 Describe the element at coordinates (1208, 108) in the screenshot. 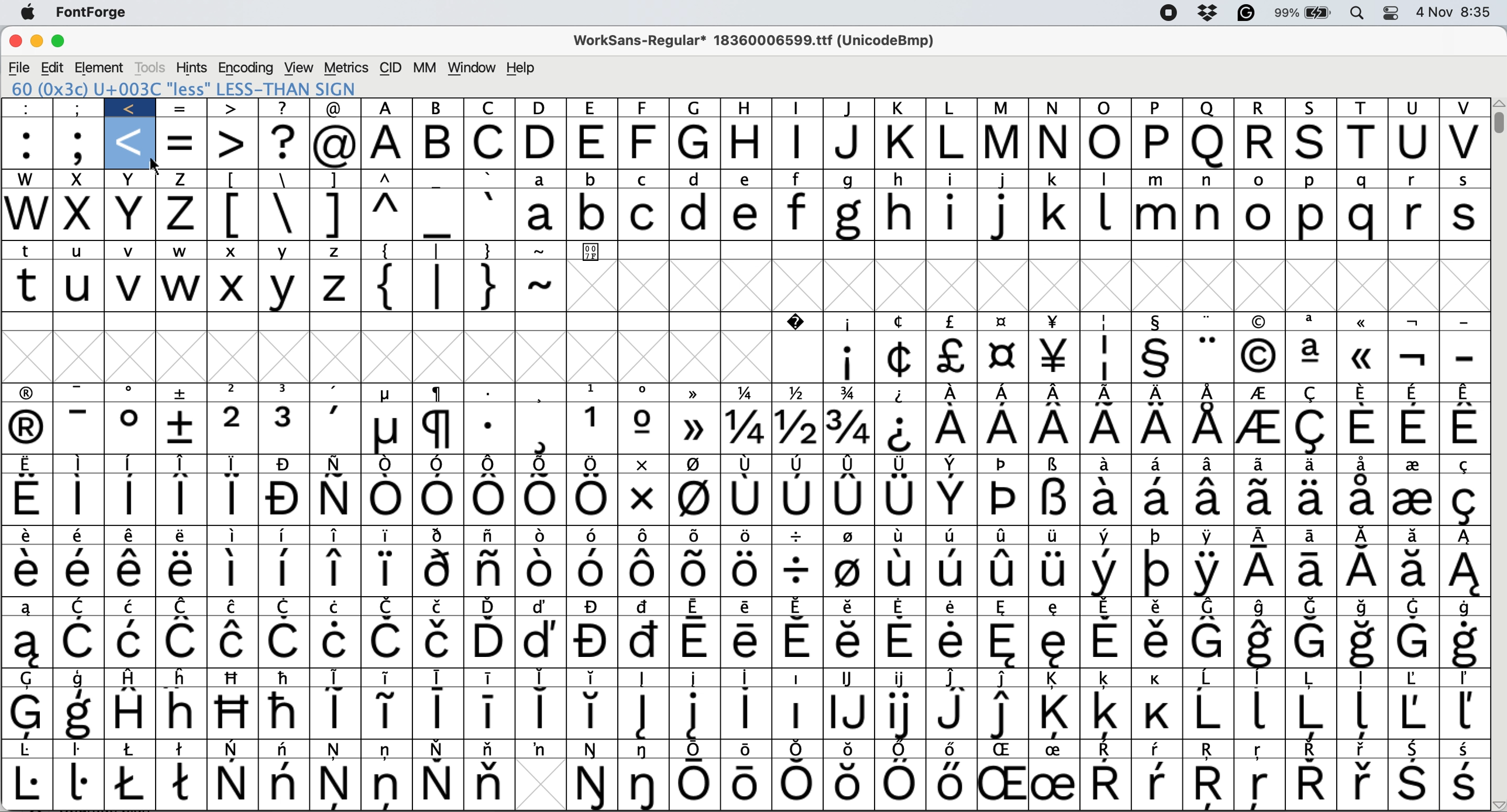

I see `q` at that location.